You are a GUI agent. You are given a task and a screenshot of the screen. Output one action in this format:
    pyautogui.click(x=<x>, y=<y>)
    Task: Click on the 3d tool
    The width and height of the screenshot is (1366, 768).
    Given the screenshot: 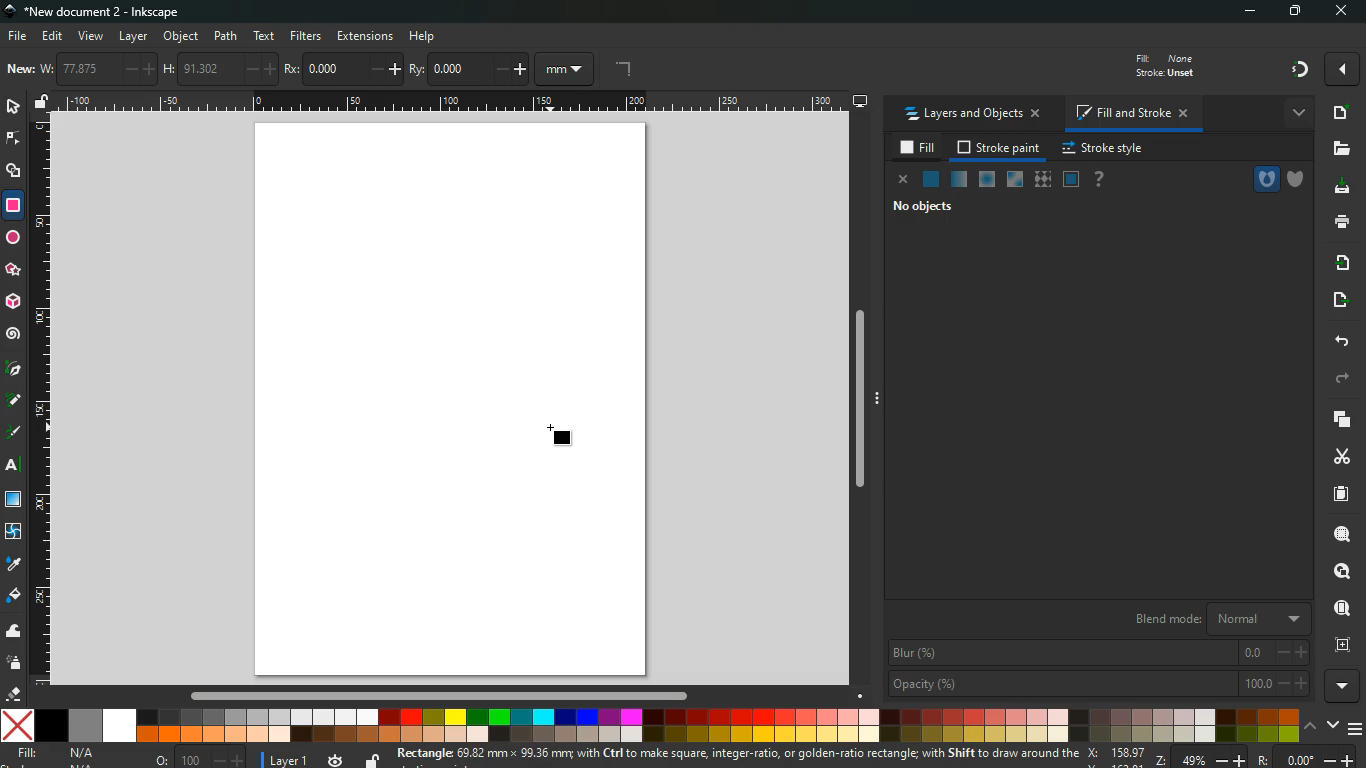 What is the action you would take?
    pyautogui.click(x=14, y=303)
    